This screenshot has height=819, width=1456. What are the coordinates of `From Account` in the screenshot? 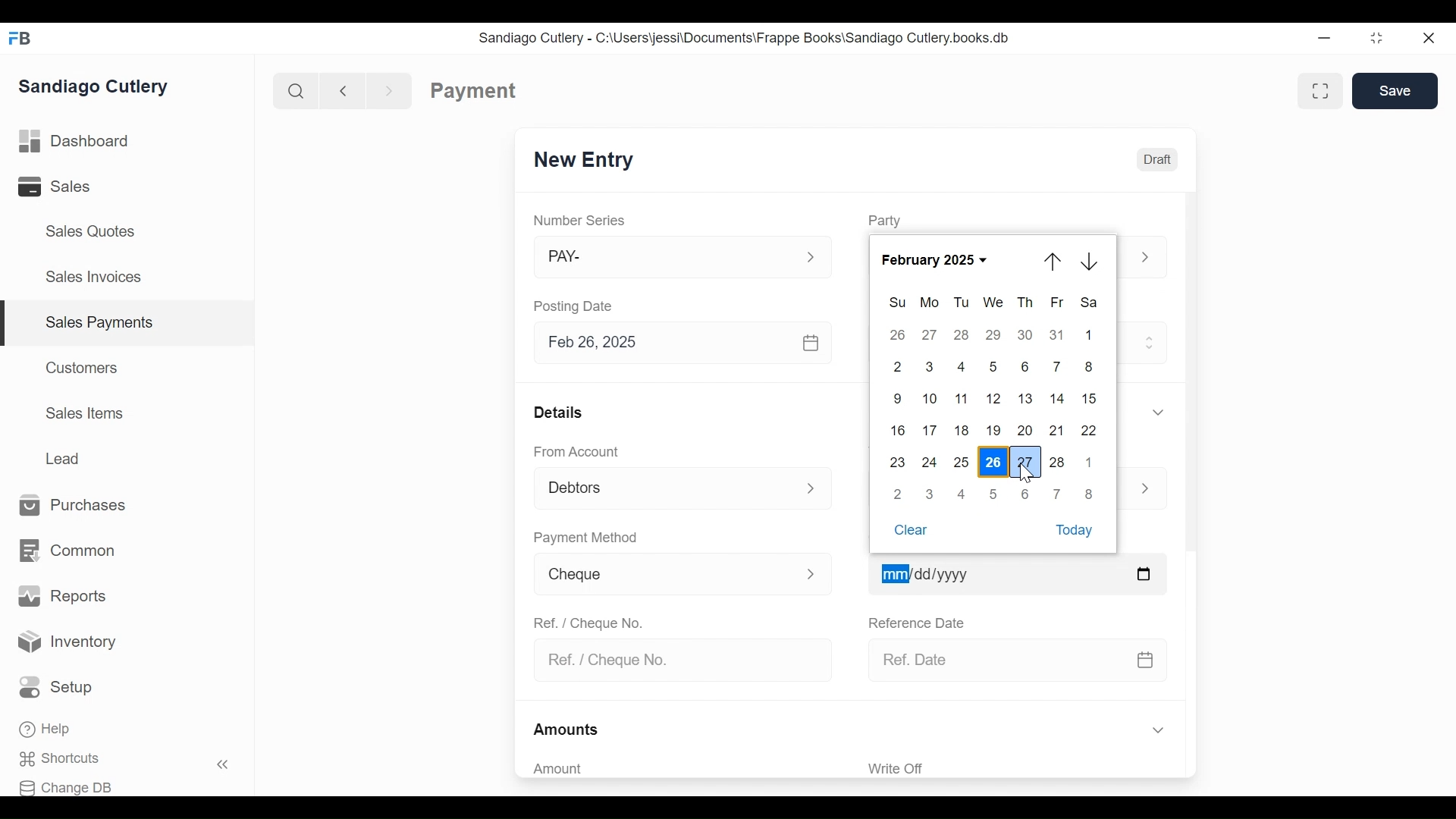 It's located at (578, 452).